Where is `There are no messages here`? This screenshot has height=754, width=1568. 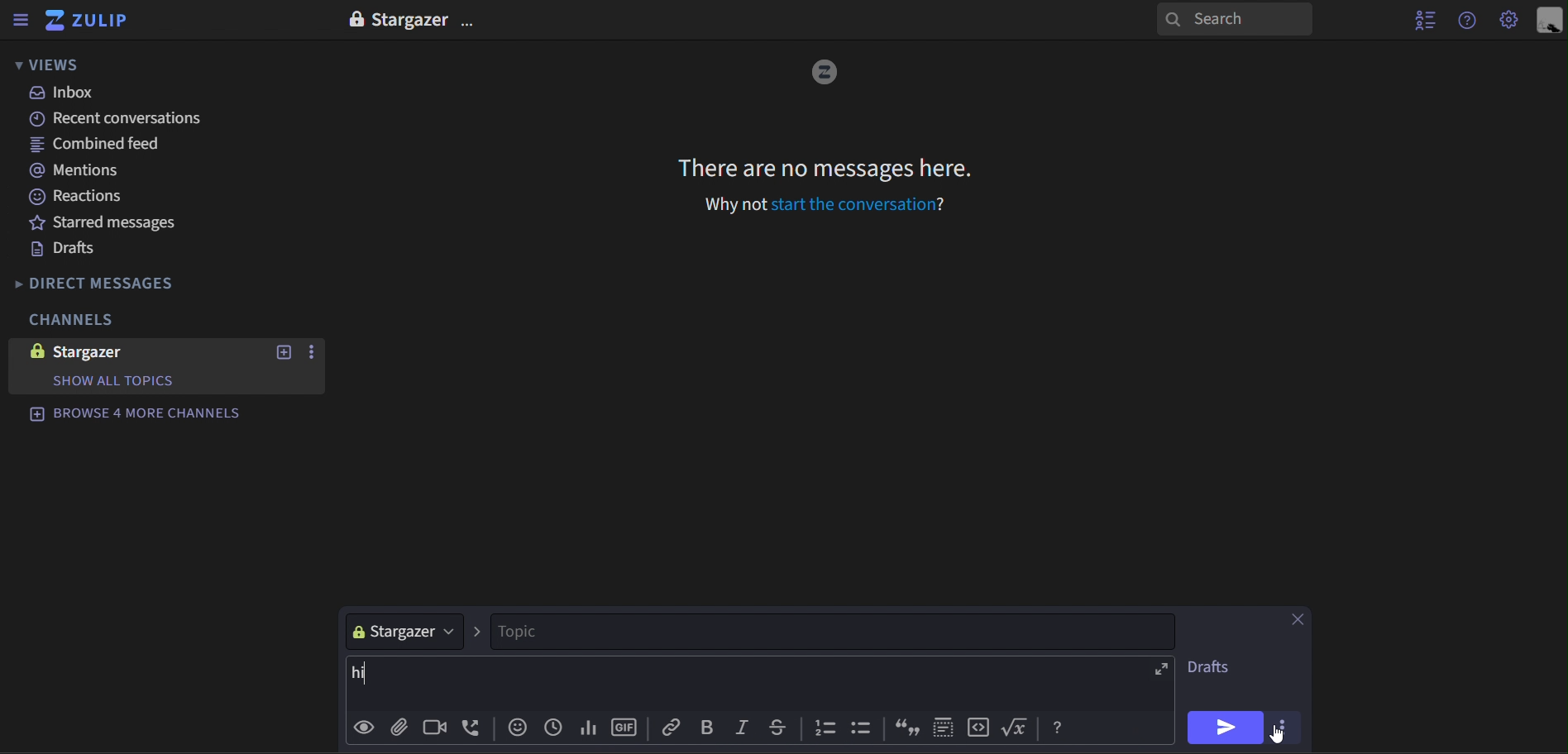
There are no messages here is located at coordinates (829, 171).